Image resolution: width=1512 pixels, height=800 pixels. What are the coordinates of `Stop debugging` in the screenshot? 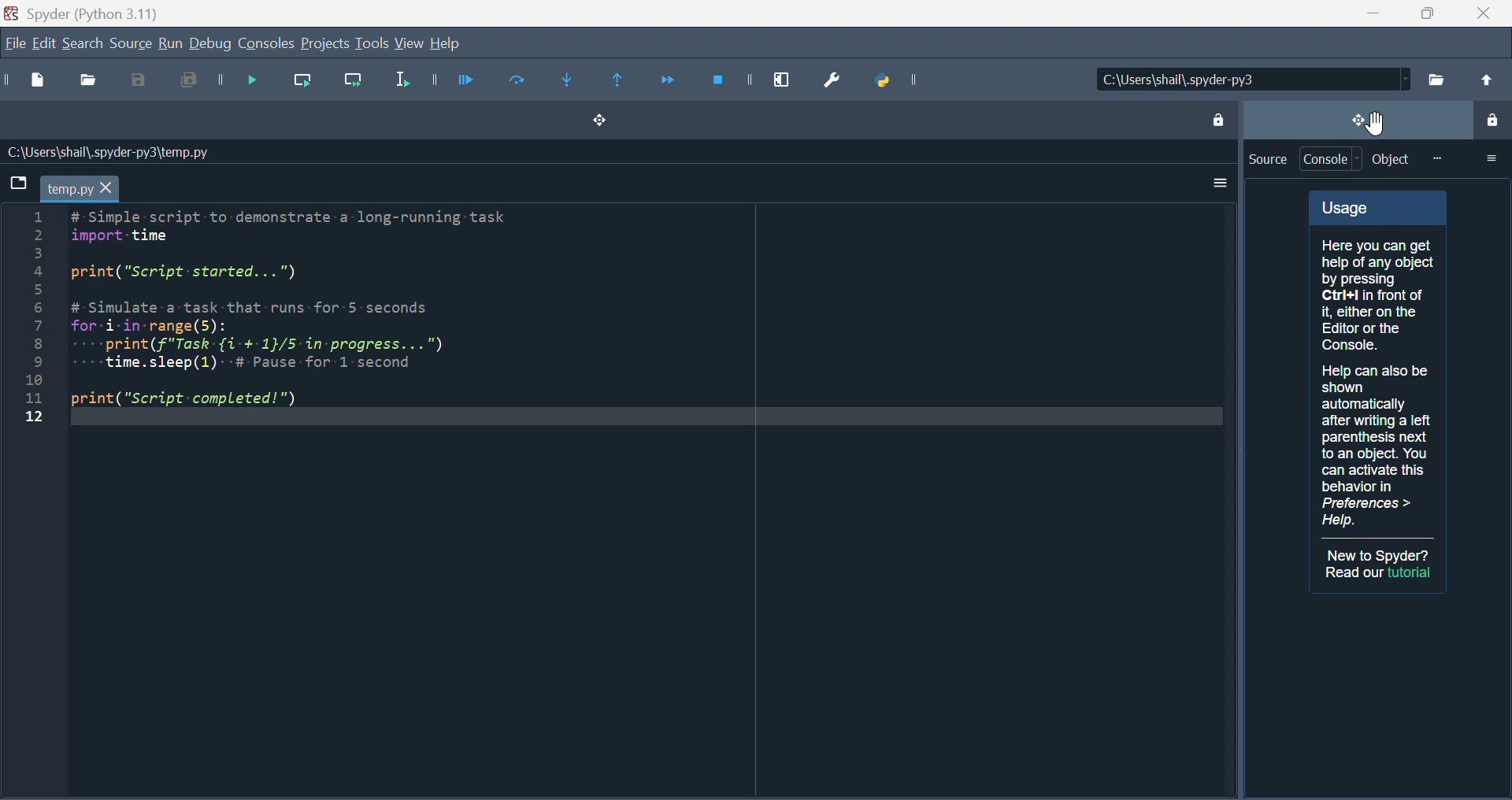 It's located at (722, 80).